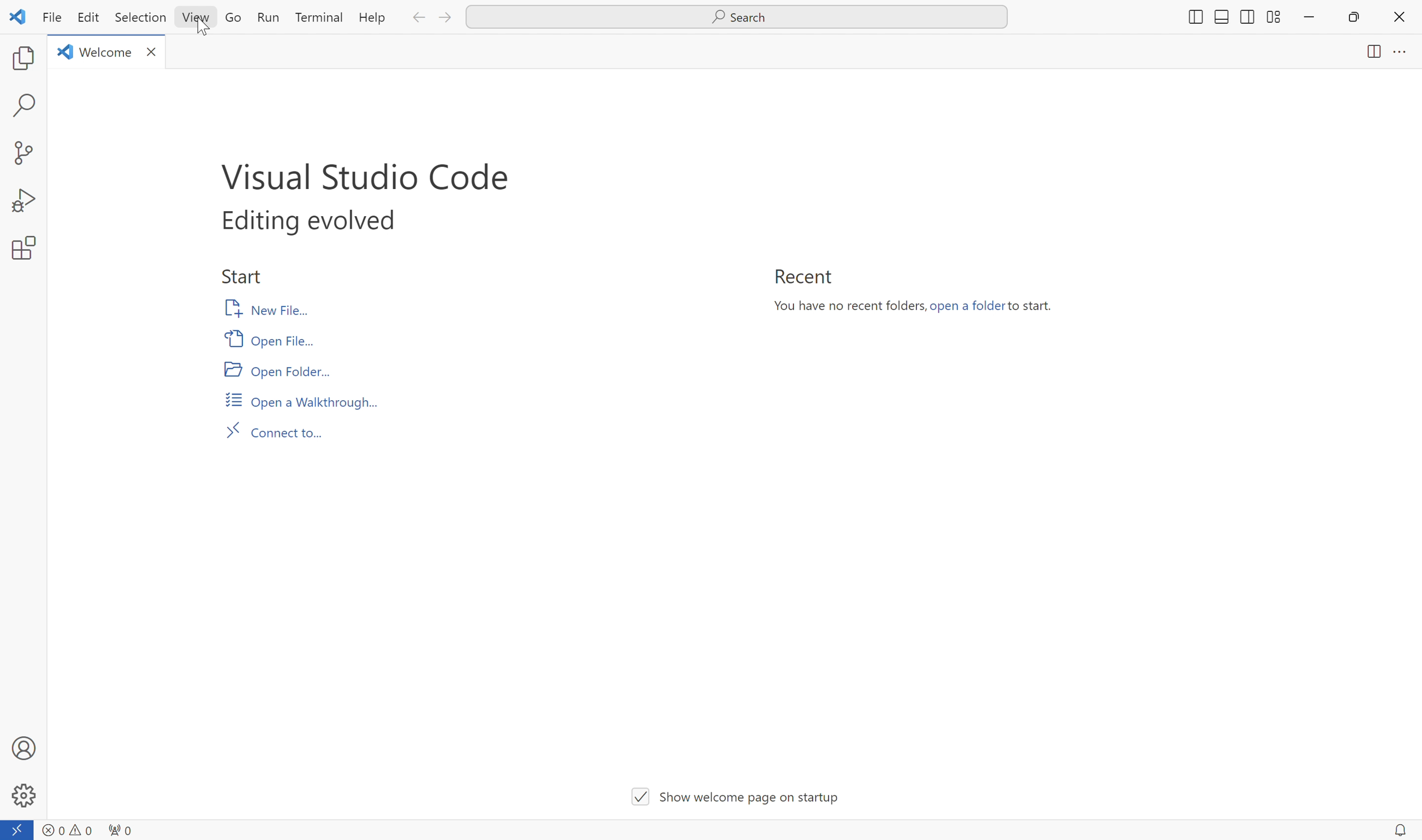  I want to click on Open File, so click(271, 338).